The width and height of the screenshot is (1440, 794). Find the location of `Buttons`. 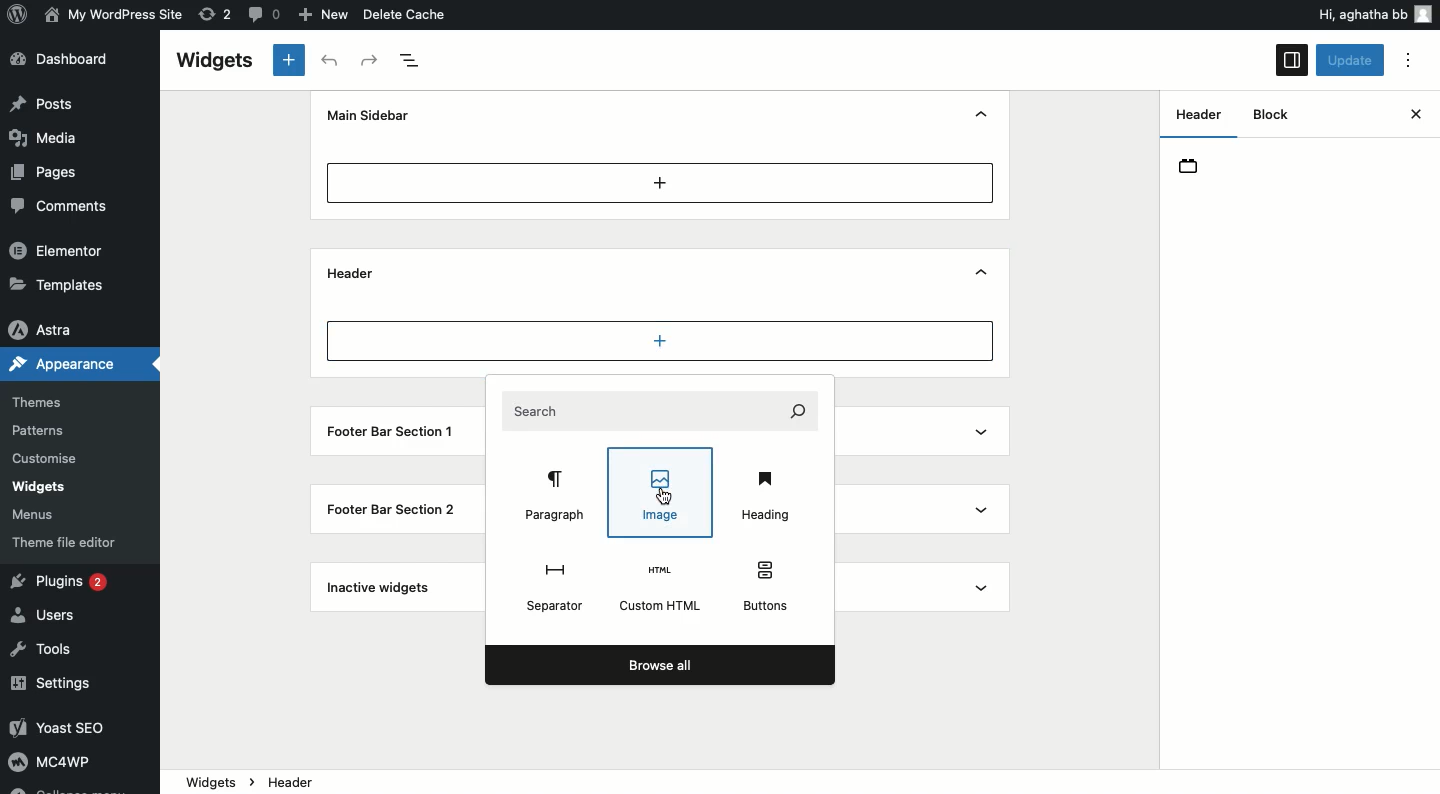

Buttons is located at coordinates (769, 584).